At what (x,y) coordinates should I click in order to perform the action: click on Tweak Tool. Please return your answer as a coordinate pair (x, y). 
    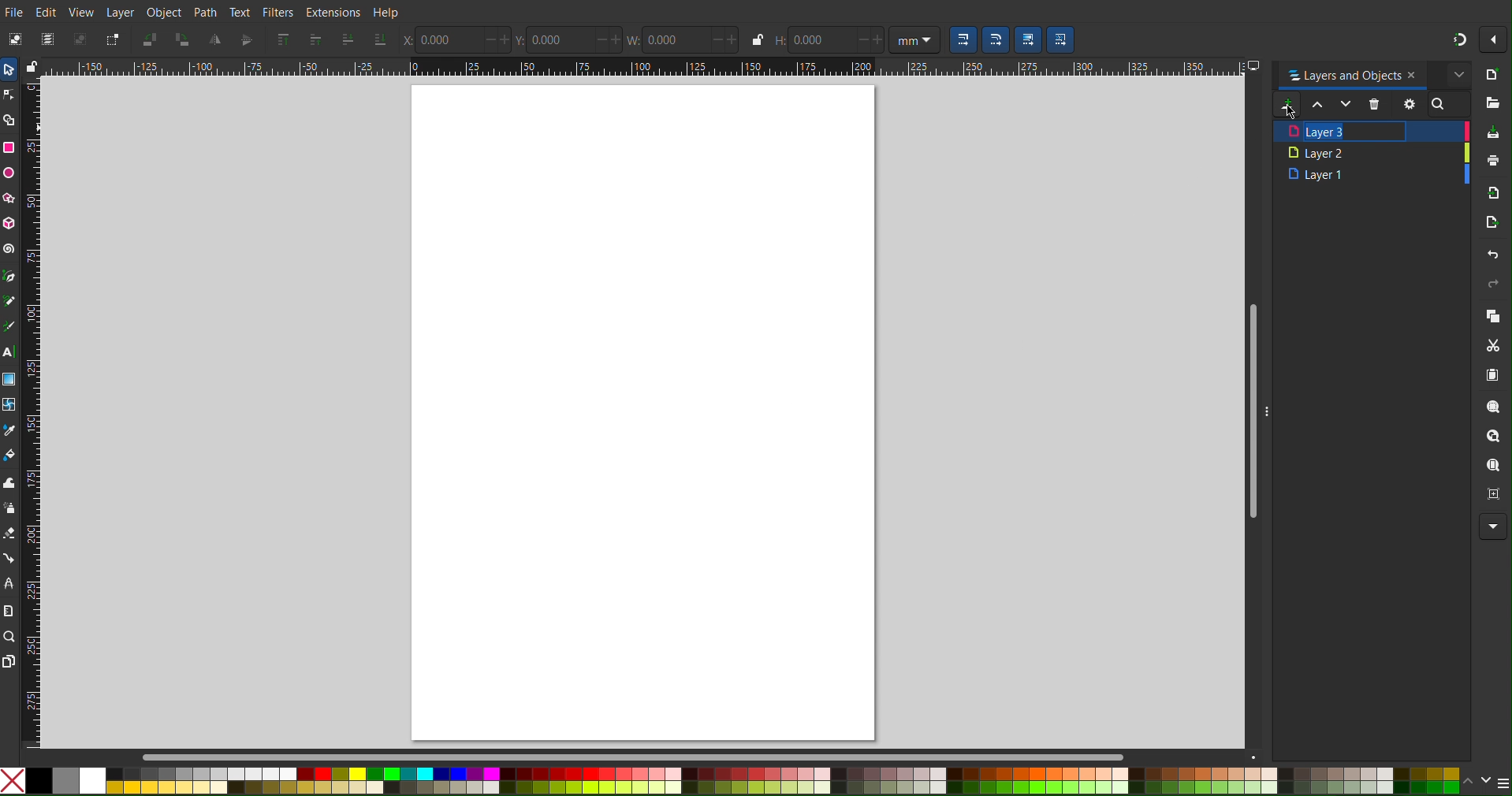
    Looking at the image, I should click on (10, 482).